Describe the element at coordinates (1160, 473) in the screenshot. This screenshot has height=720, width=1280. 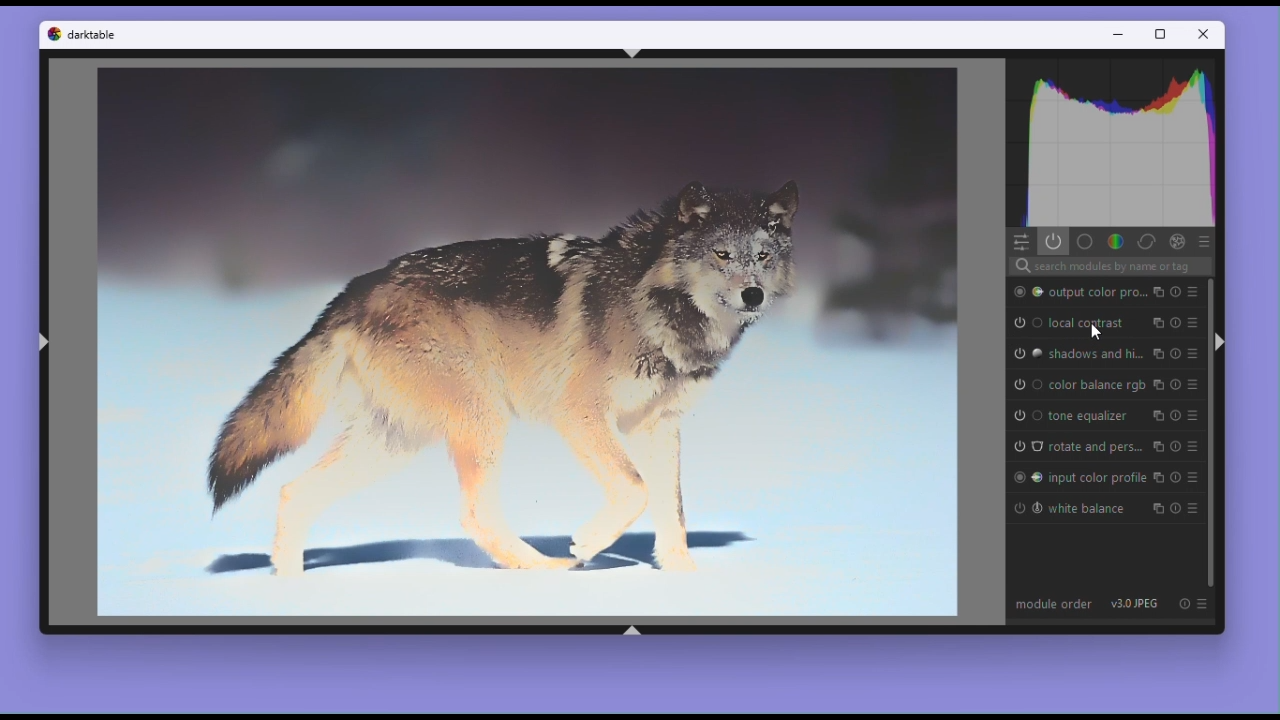
I see `Multiple instance actions` at that location.